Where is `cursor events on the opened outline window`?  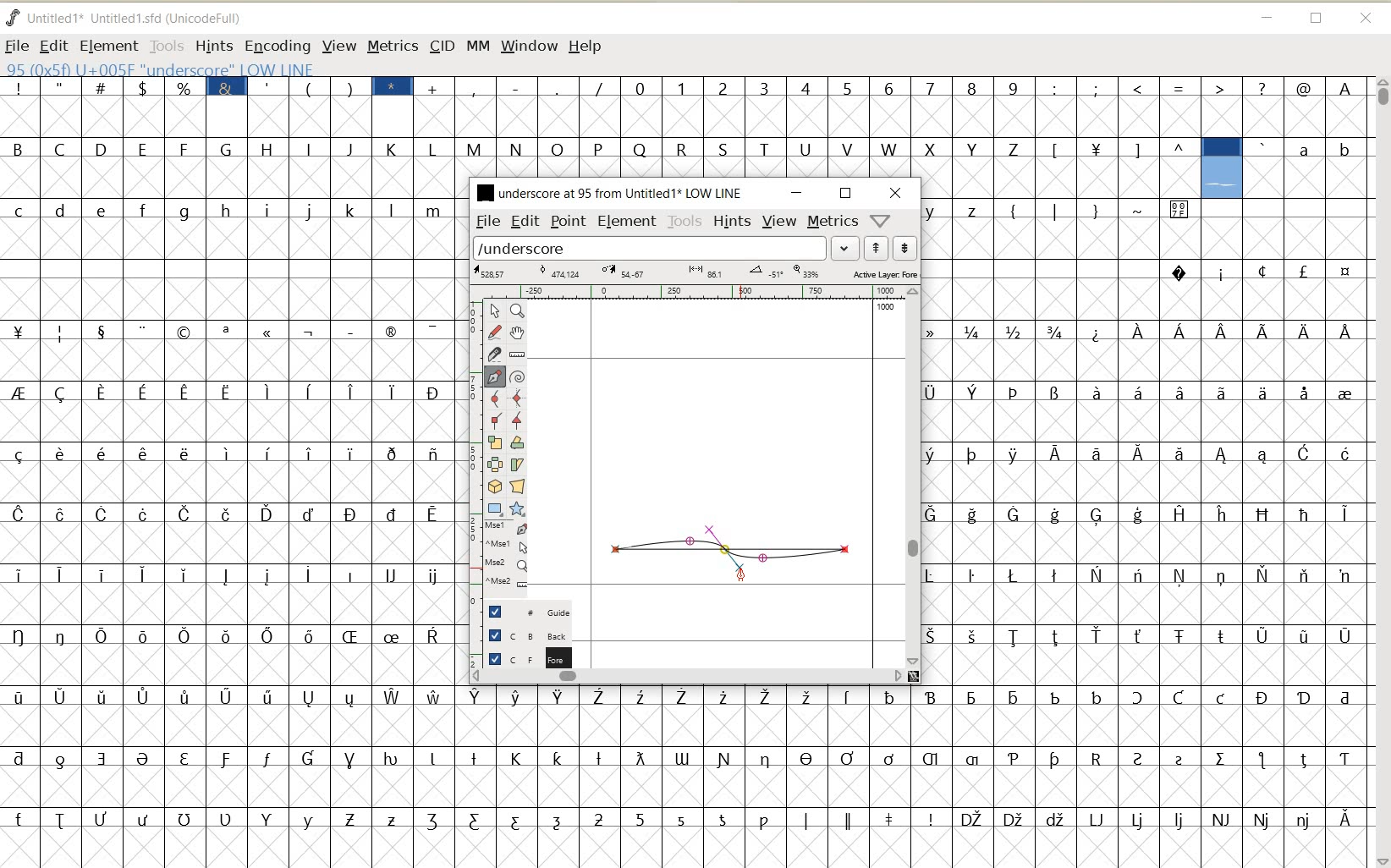
cursor events on the opened outline window is located at coordinates (507, 556).